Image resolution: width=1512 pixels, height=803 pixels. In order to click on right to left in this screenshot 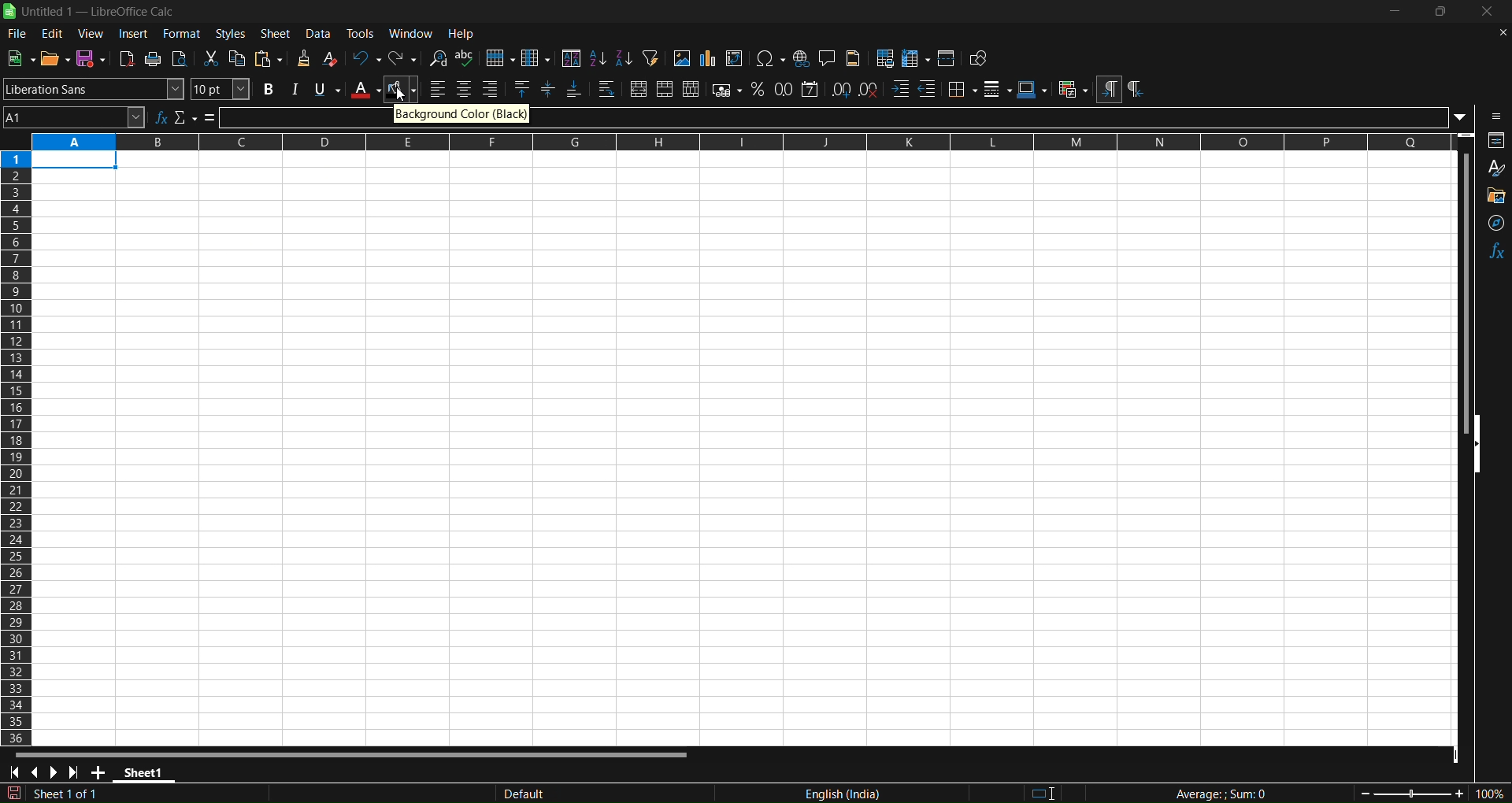, I will do `click(1140, 88)`.